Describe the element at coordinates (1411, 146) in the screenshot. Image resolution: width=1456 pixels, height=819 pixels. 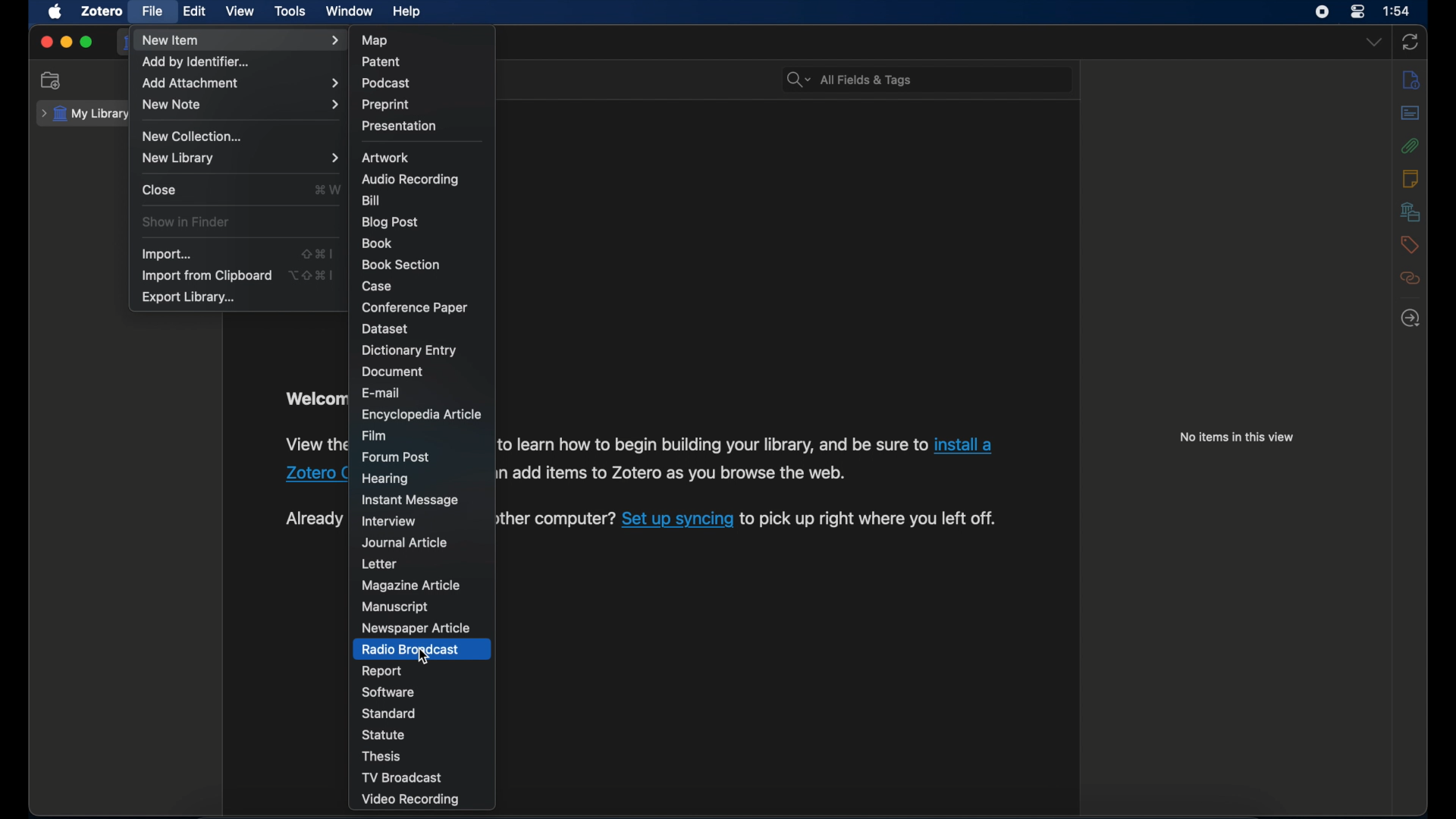
I see `attachment` at that location.